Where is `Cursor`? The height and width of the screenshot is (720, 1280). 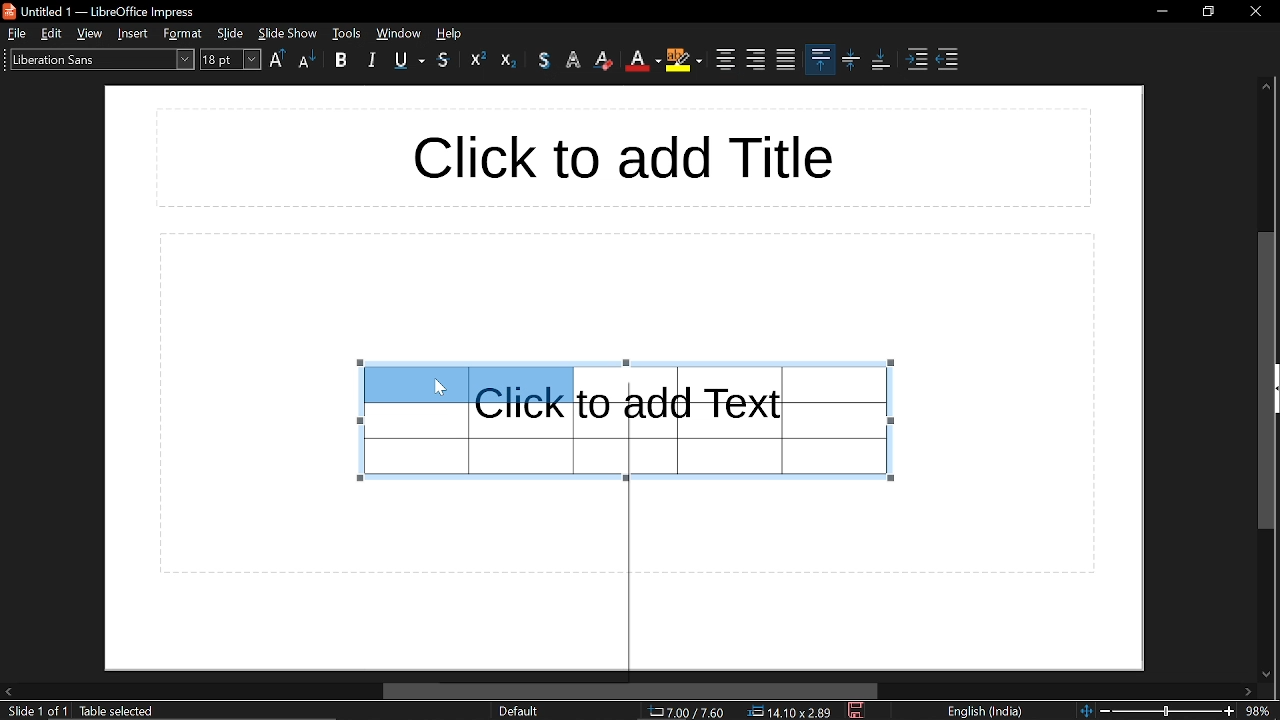 Cursor is located at coordinates (439, 387).